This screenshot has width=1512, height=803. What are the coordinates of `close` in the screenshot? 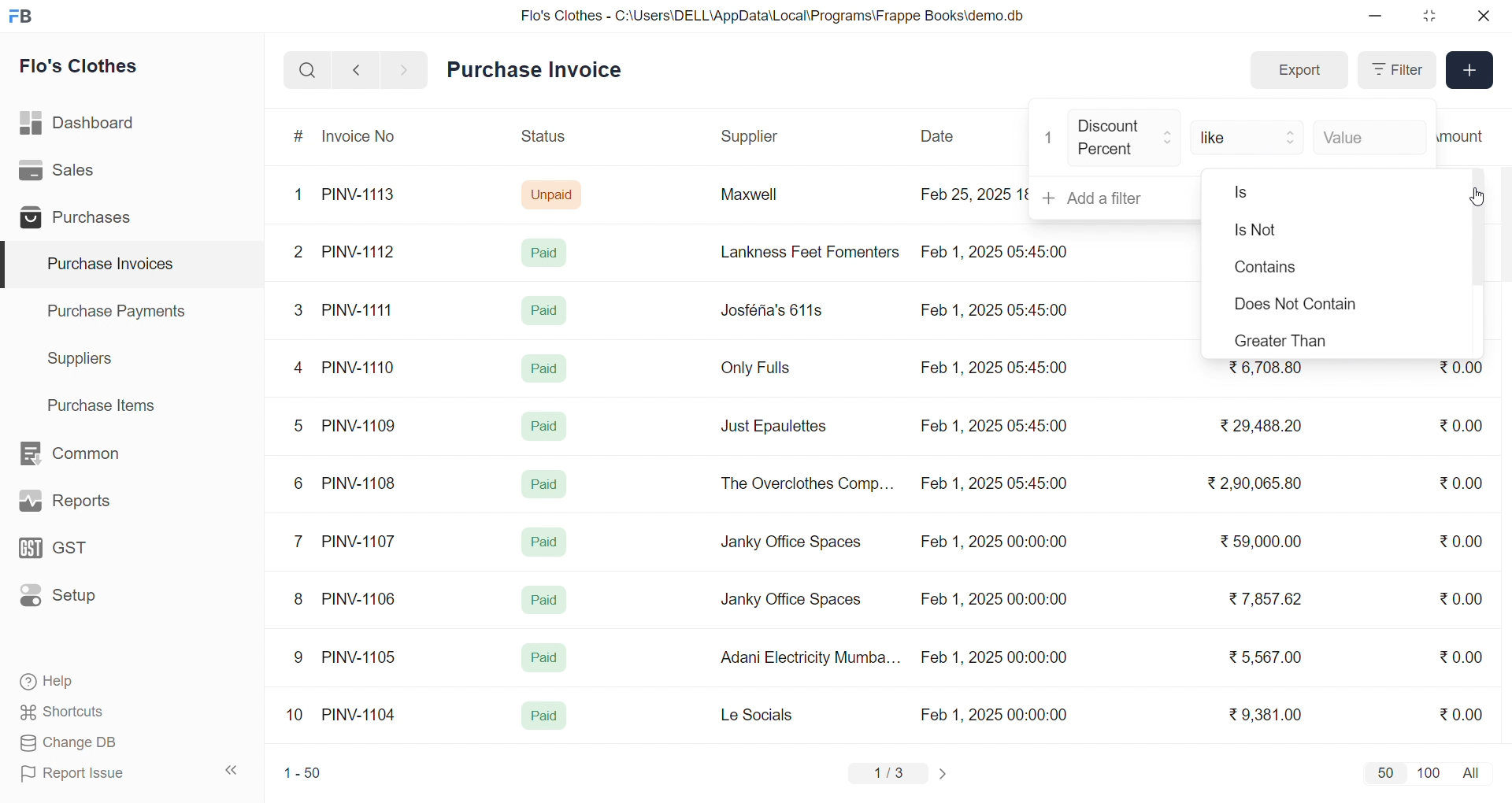 It's located at (1482, 16).